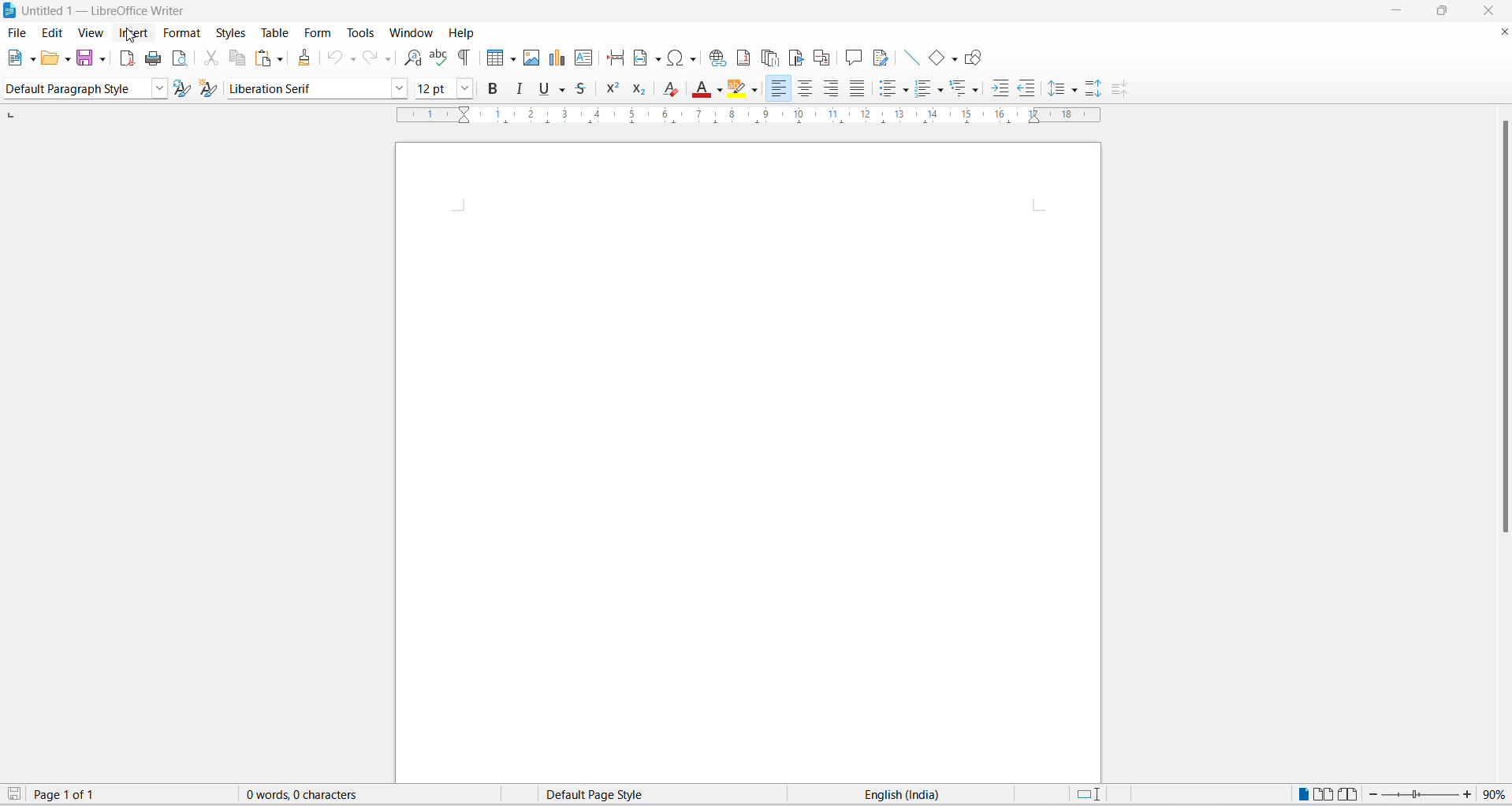  What do you see at coordinates (435, 88) in the screenshot?
I see `font size` at bounding box center [435, 88].